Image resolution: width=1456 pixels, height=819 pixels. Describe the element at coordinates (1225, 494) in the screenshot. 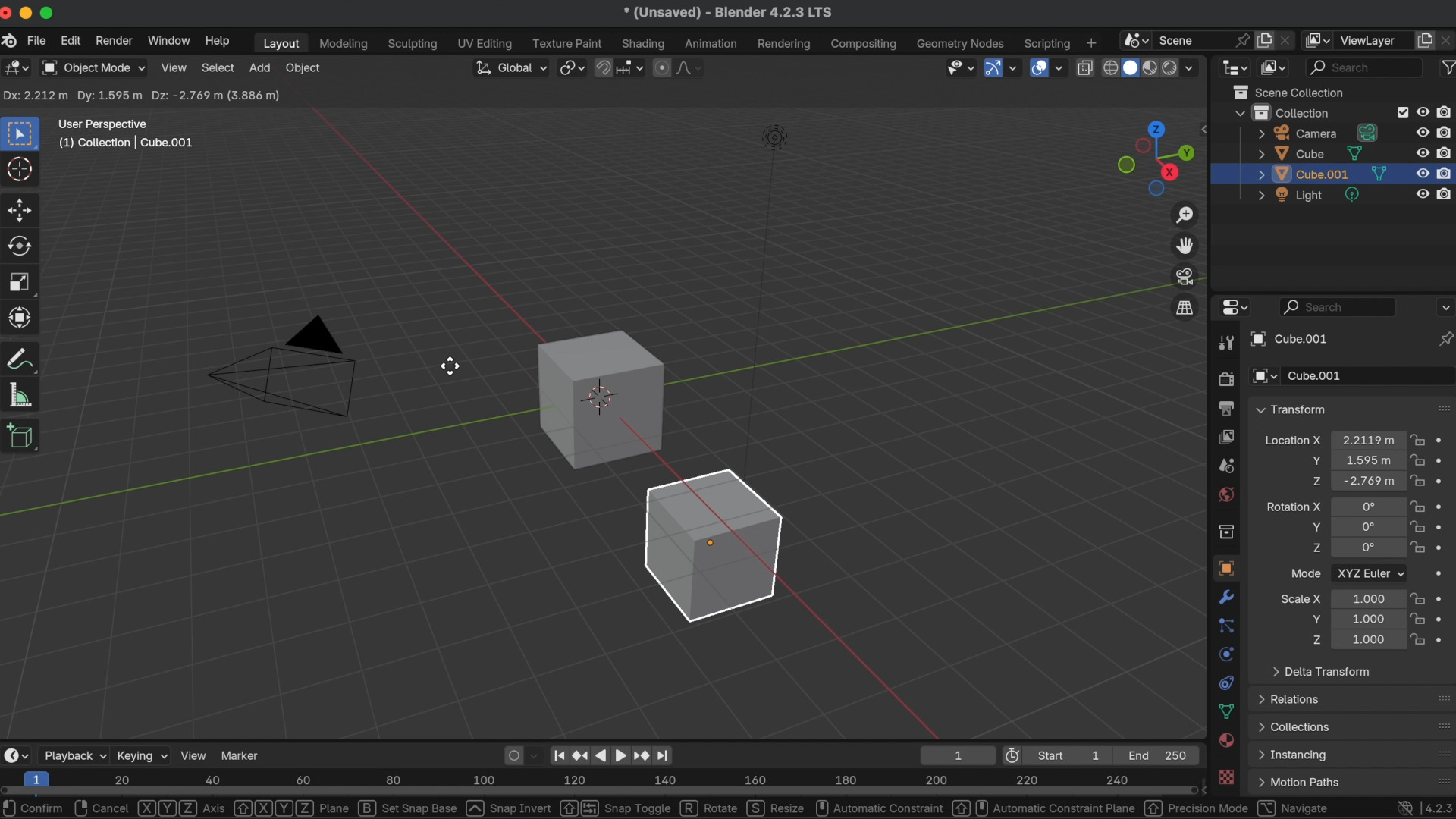

I see `world` at that location.